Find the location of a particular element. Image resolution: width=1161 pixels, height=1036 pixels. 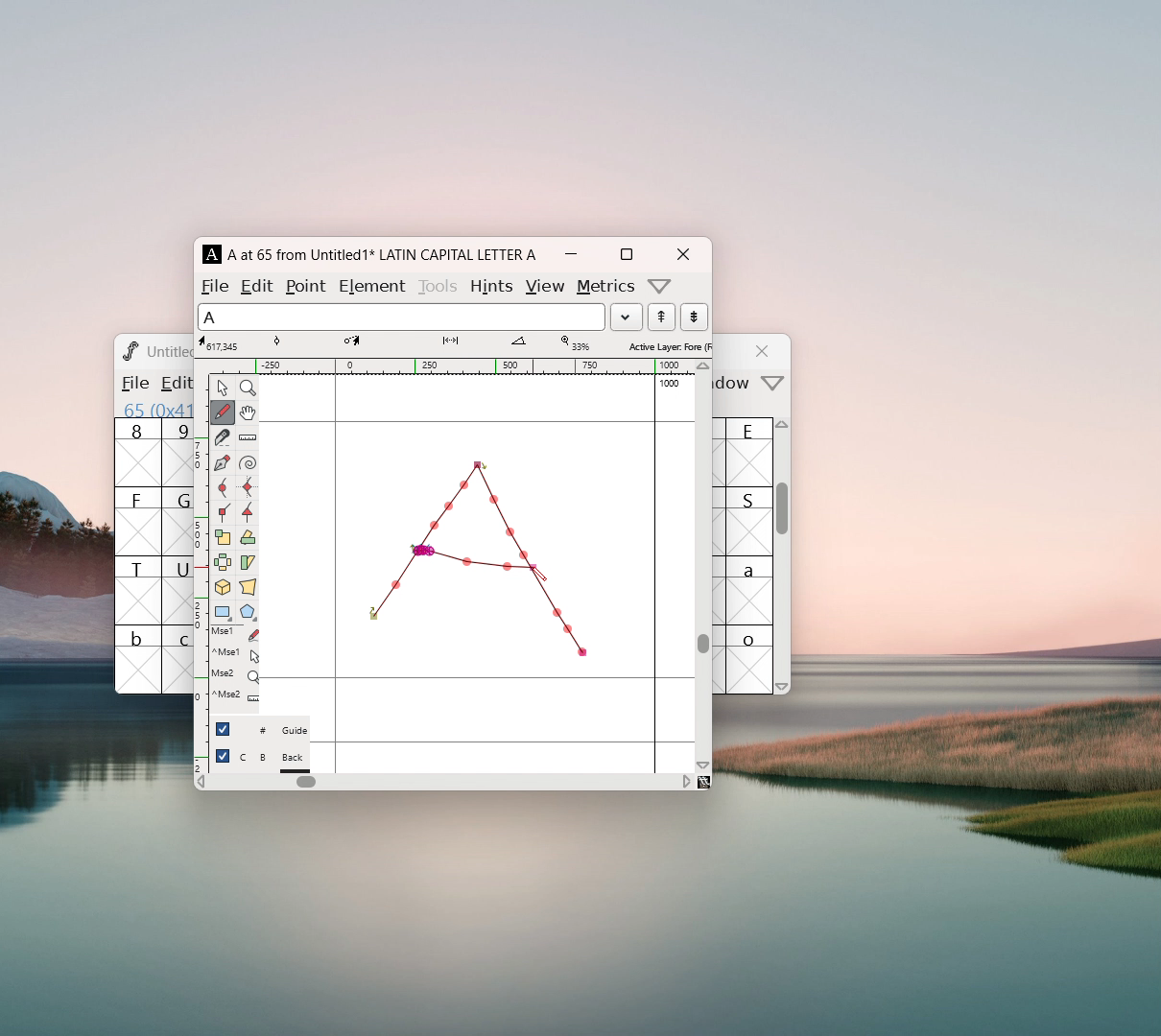

view is located at coordinates (544, 287).